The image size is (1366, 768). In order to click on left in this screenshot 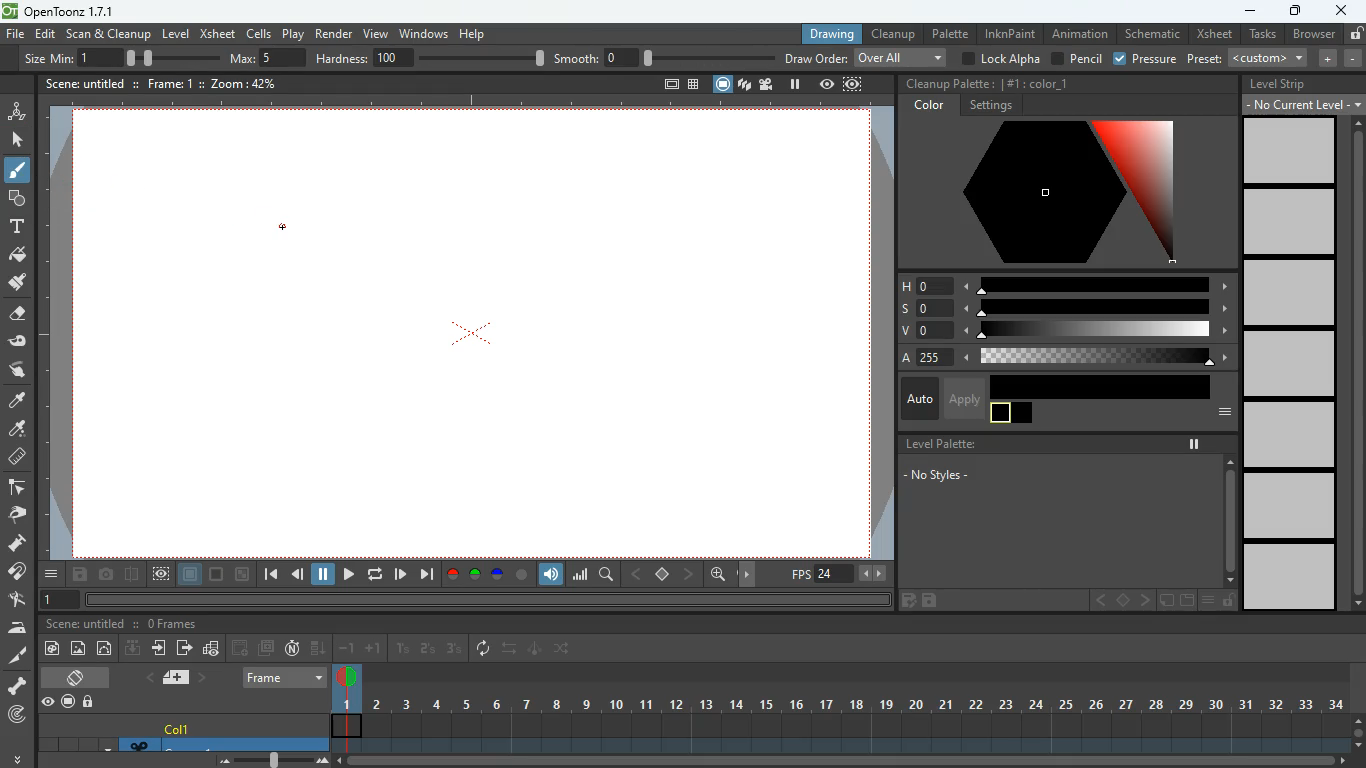, I will do `click(1099, 601)`.